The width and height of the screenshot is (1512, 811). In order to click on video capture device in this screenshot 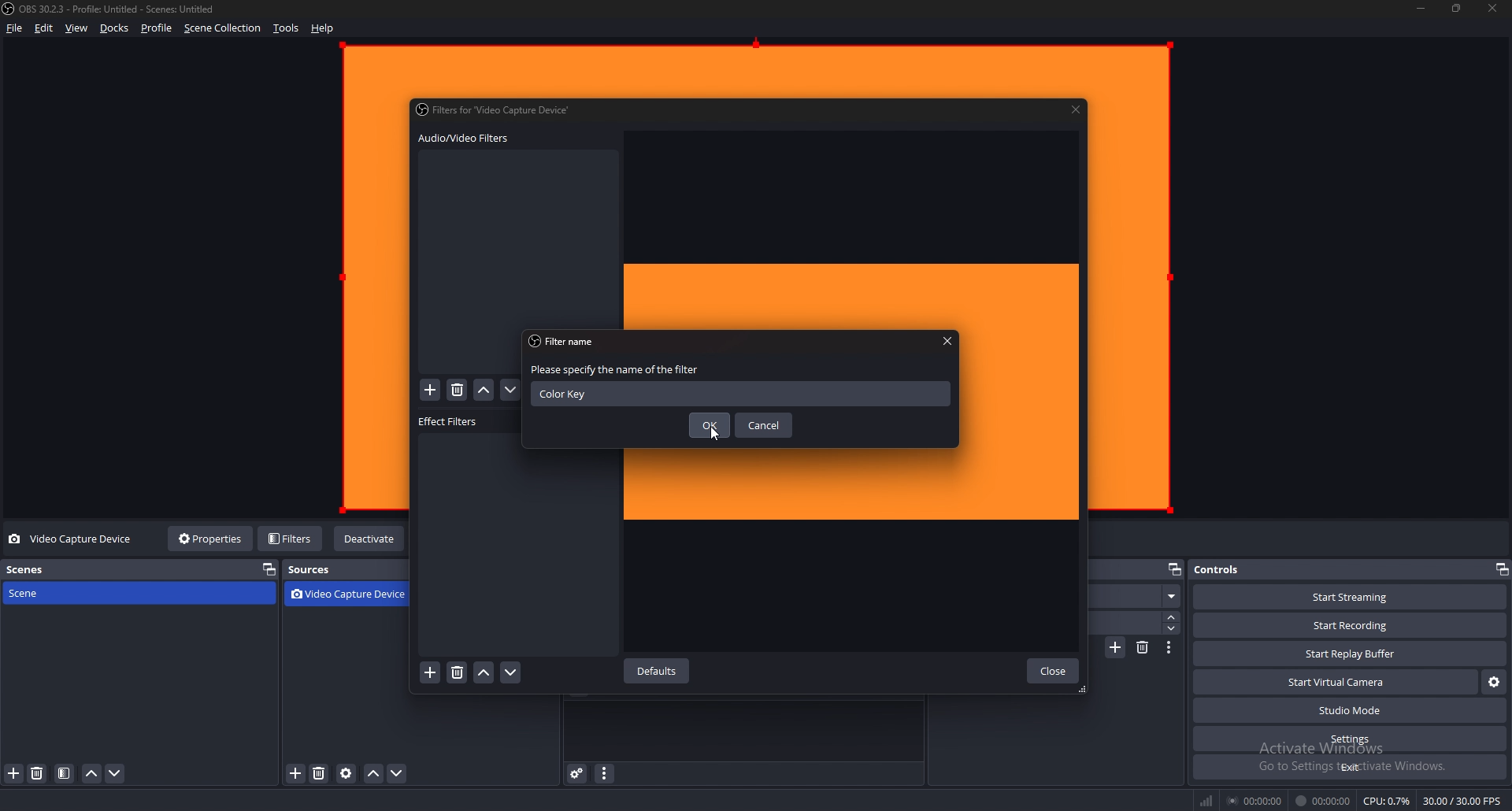, I will do `click(353, 595)`.